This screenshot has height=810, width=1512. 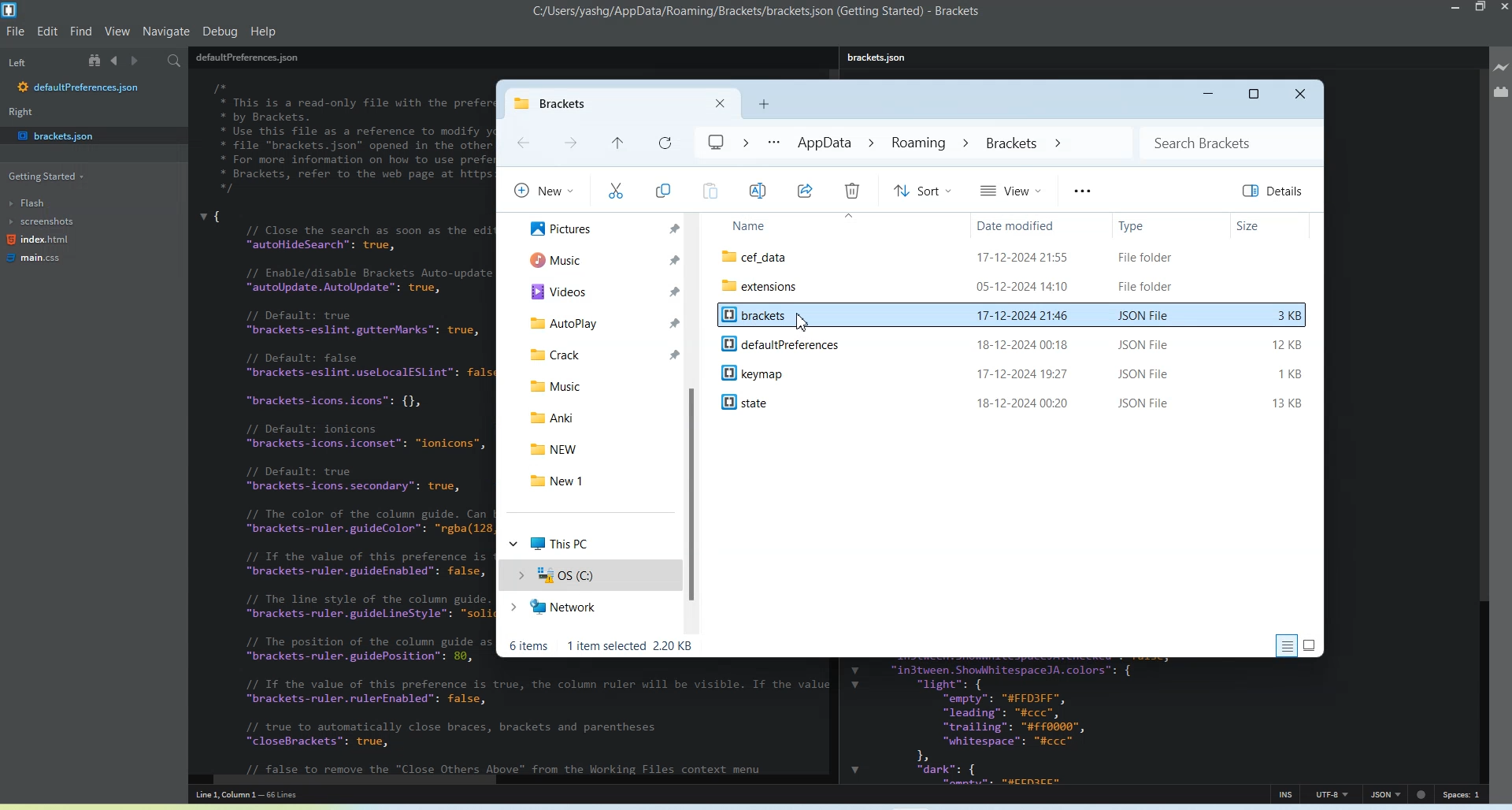 What do you see at coordinates (247, 57) in the screenshot?
I see `defaultPreferences.json` at bounding box center [247, 57].